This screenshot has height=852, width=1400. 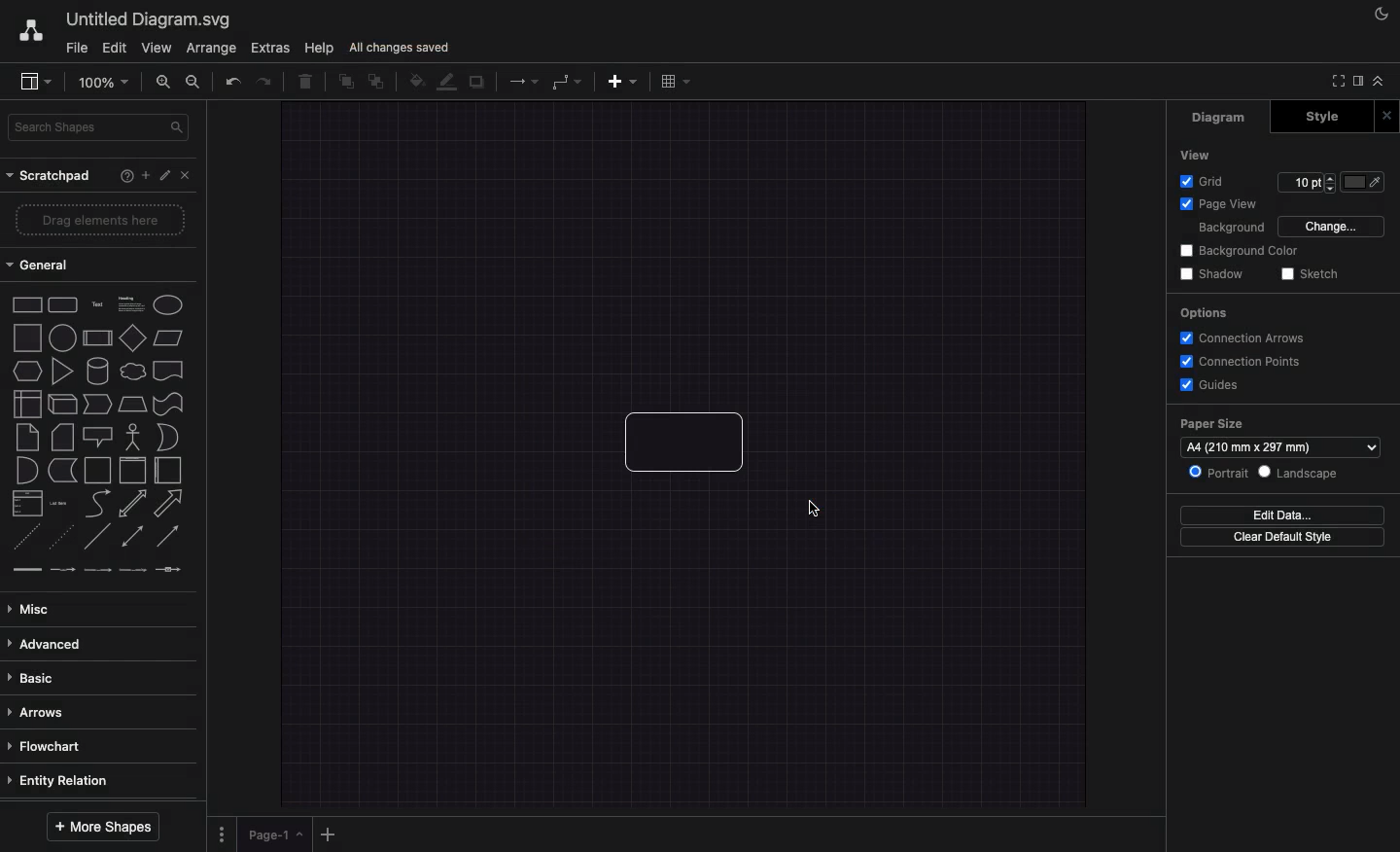 What do you see at coordinates (1208, 386) in the screenshot?
I see `Guides` at bounding box center [1208, 386].